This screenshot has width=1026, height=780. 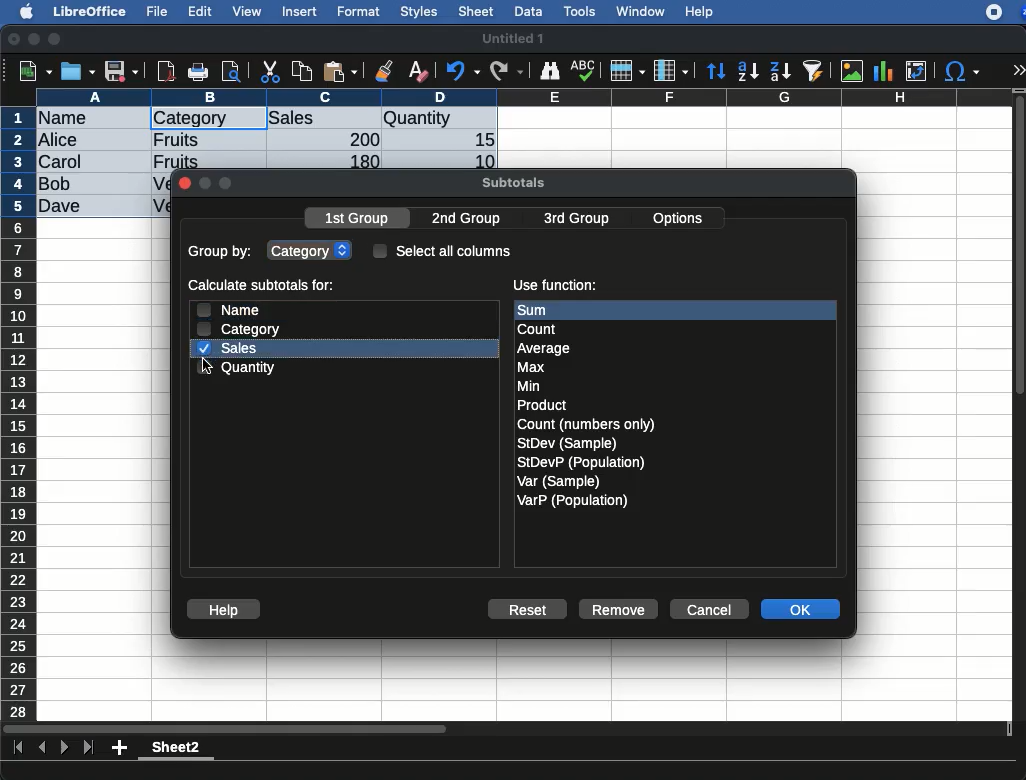 I want to click on Bob, so click(x=56, y=185).